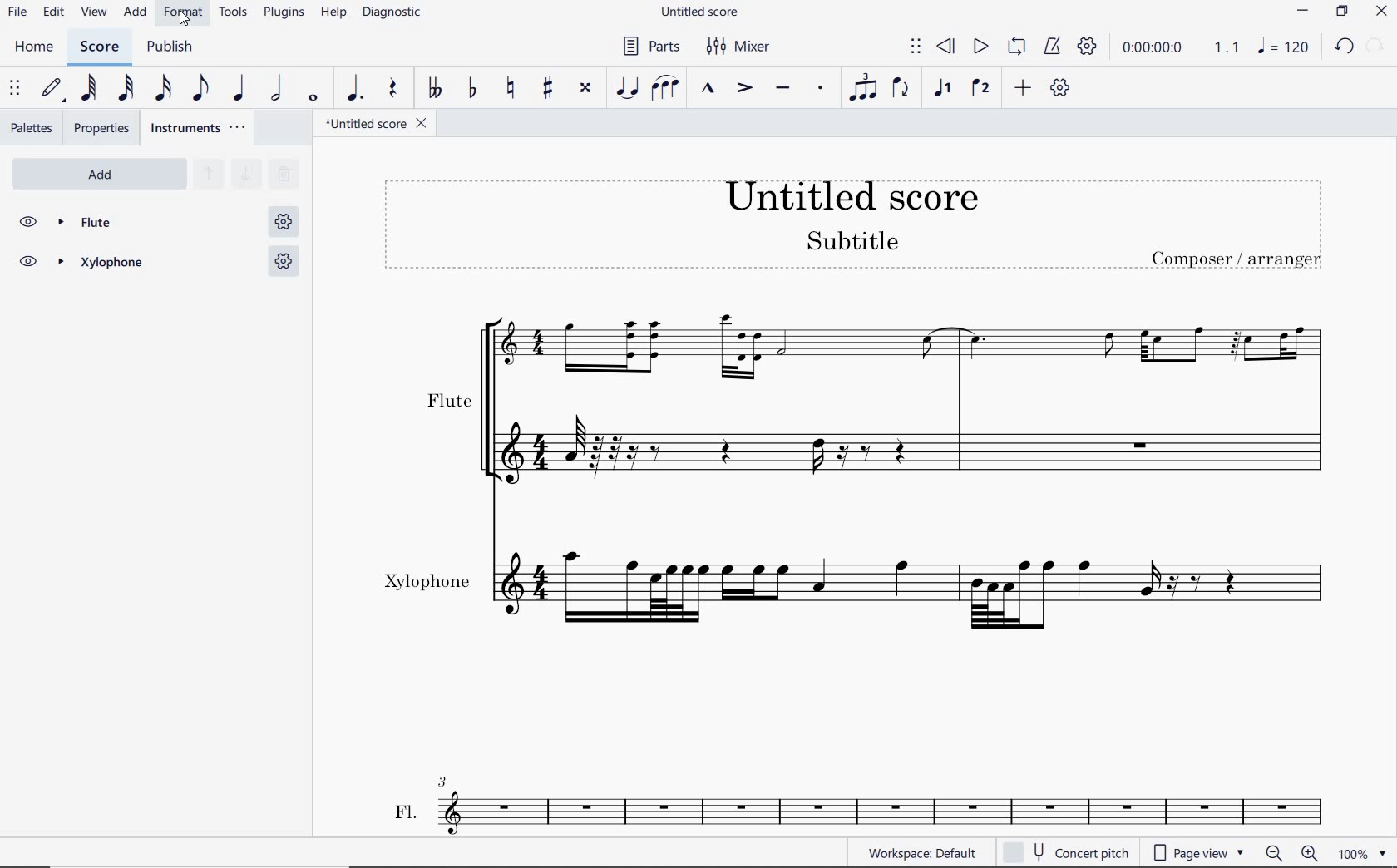  I want to click on DEFAULT (STEP TIME), so click(52, 91).